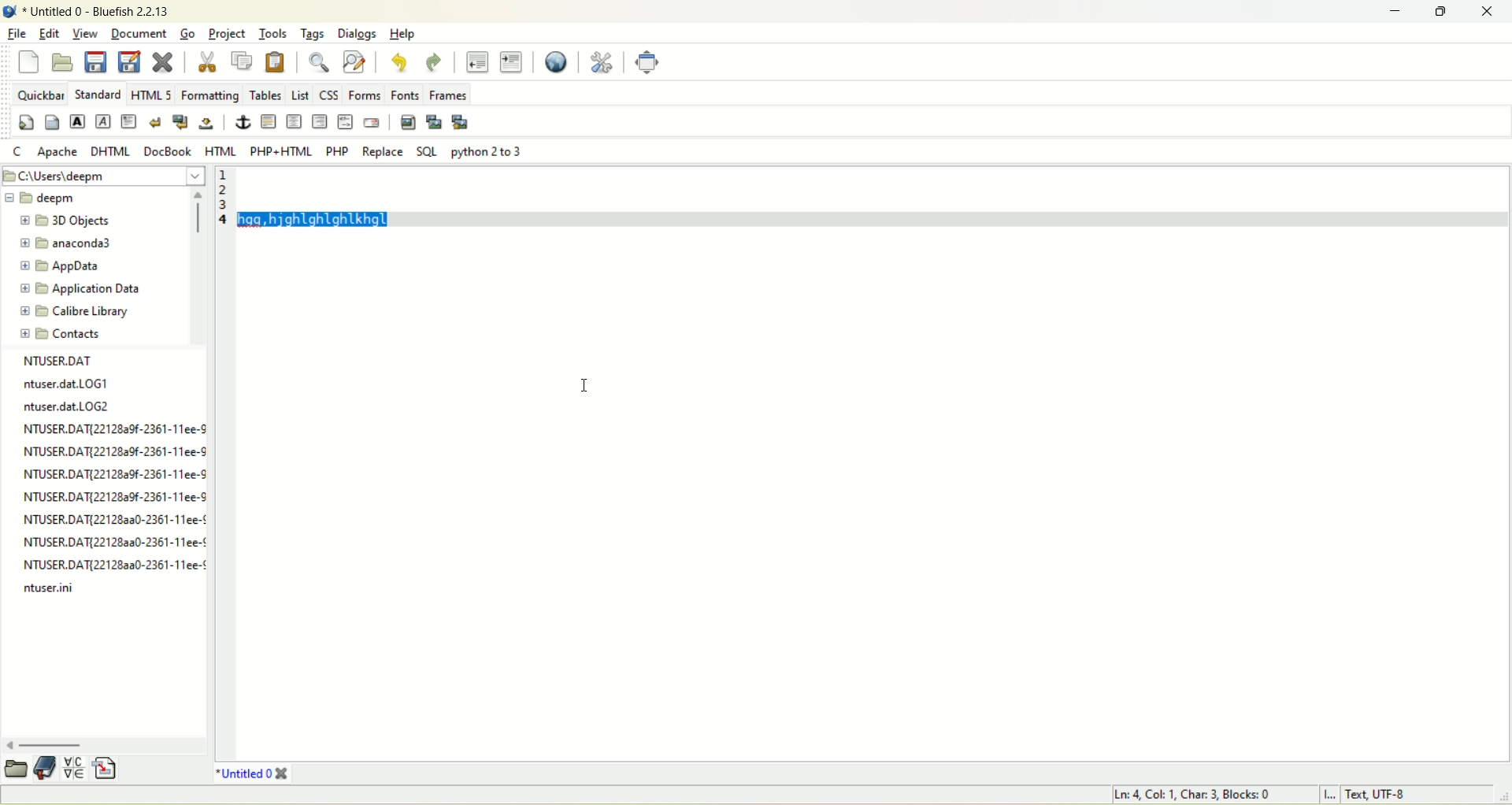 This screenshot has height=805, width=1512. I want to click on formatting, so click(206, 95).